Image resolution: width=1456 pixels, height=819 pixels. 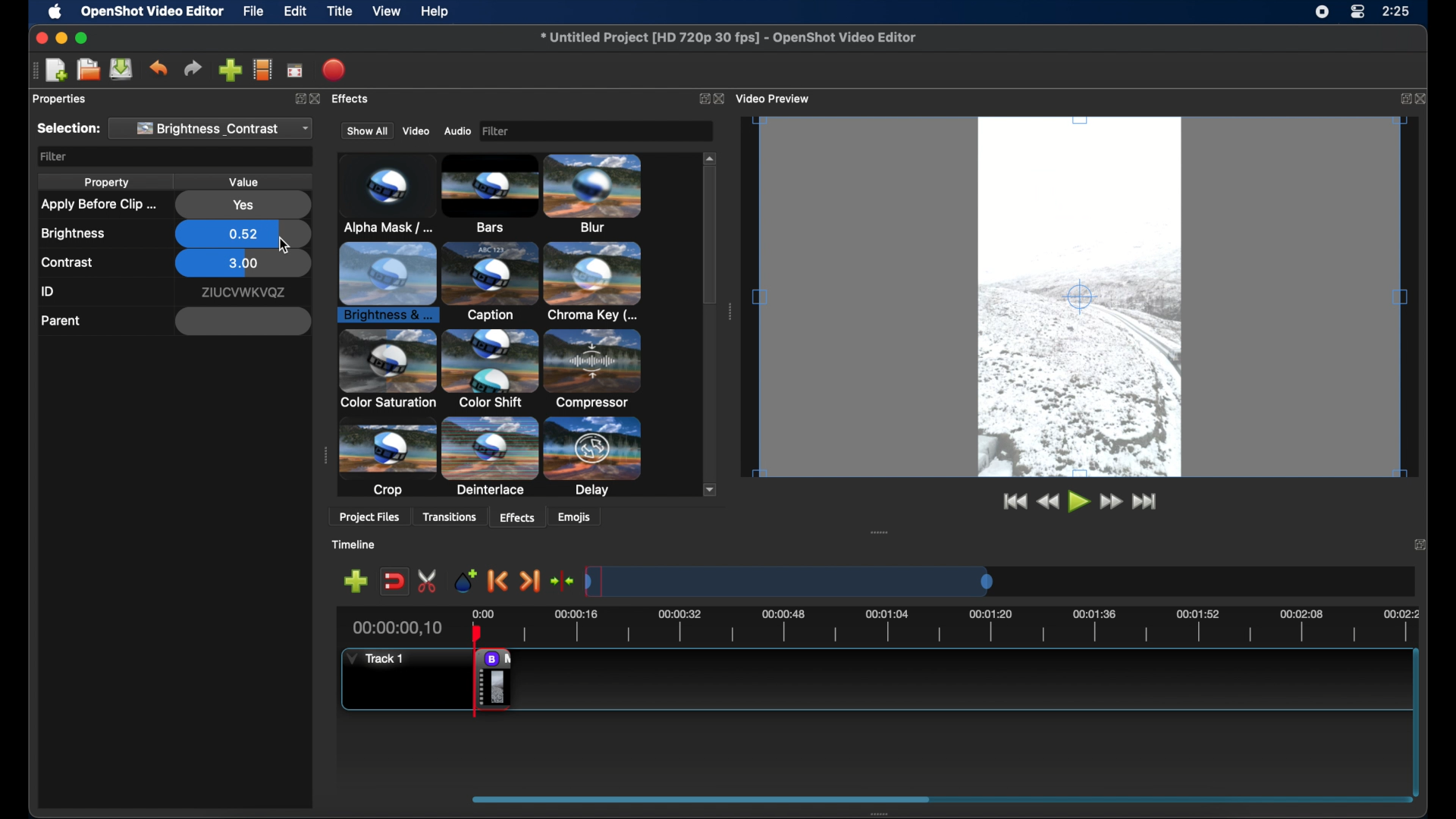 I want to click on remove effect, so click(x=493, y=679).